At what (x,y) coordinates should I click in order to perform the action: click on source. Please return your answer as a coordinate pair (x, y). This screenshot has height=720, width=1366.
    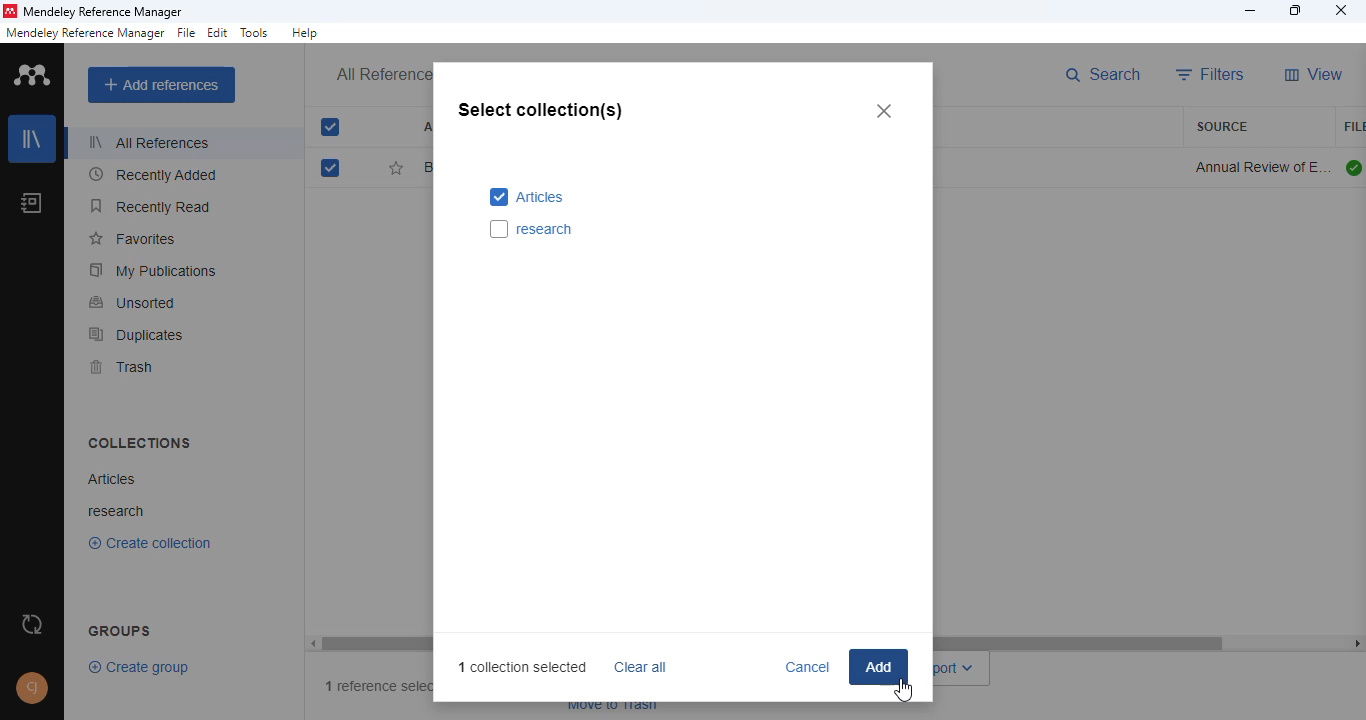
    Looking at the image, I should click on (1222, 126).